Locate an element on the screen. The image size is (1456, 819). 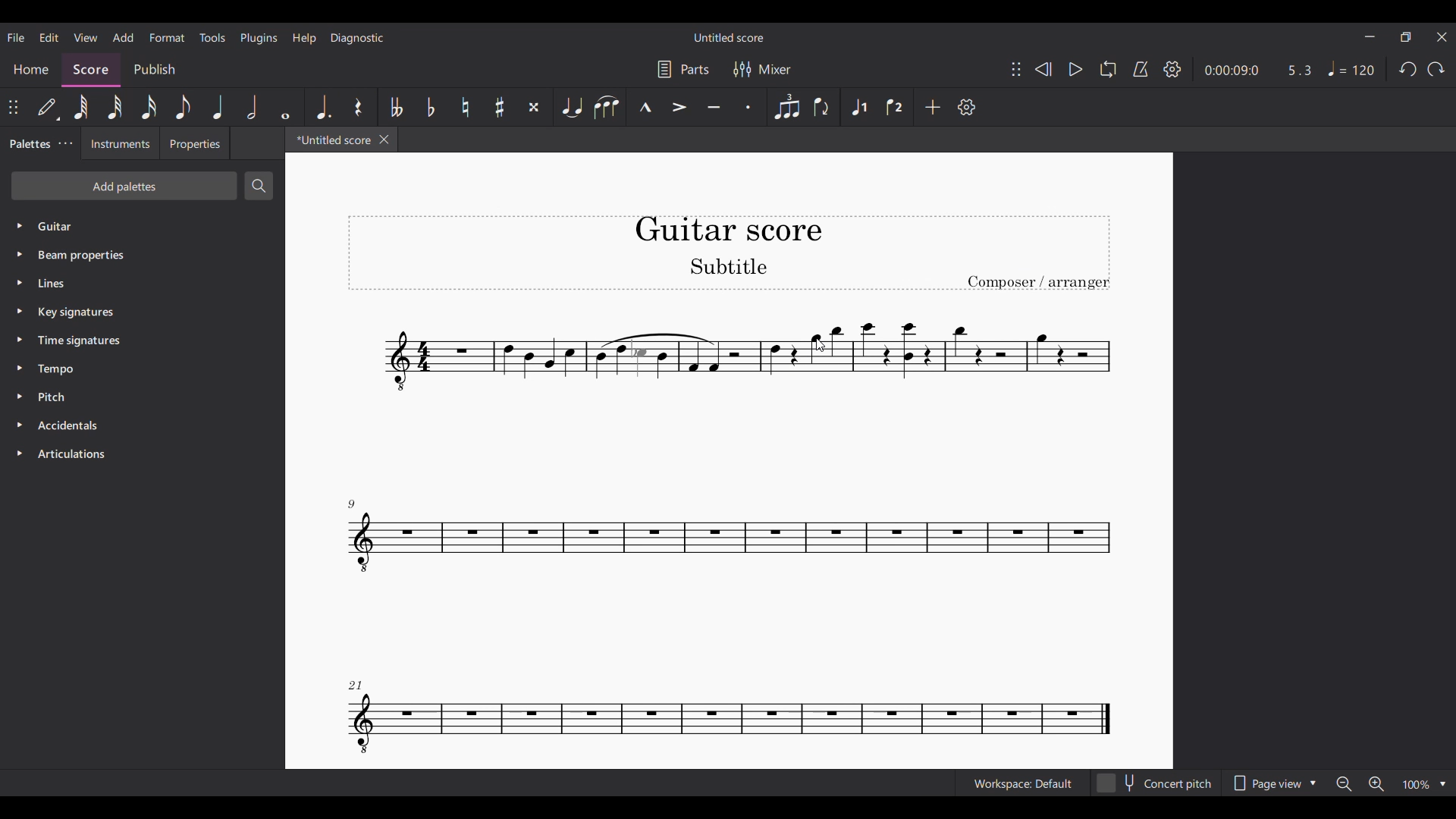
Plugins menu is located at coordinates (259, 39).